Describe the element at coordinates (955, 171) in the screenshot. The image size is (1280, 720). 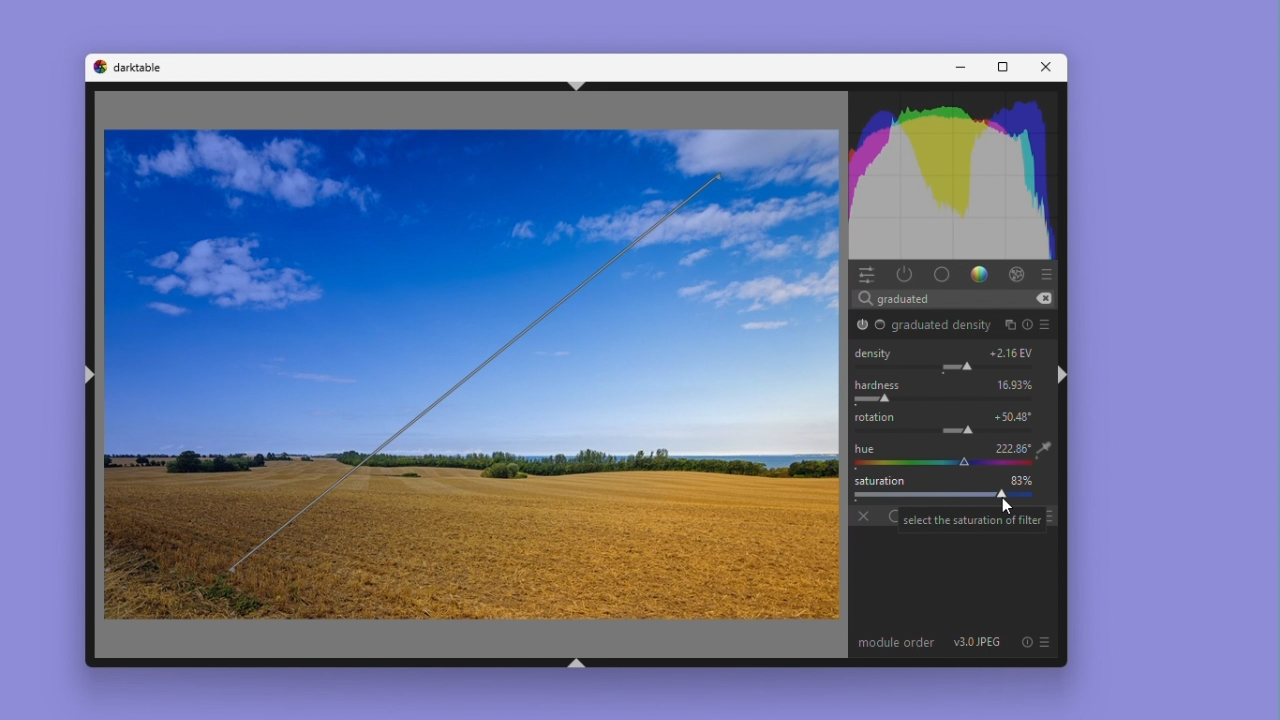
I see `Histogram` at that location.